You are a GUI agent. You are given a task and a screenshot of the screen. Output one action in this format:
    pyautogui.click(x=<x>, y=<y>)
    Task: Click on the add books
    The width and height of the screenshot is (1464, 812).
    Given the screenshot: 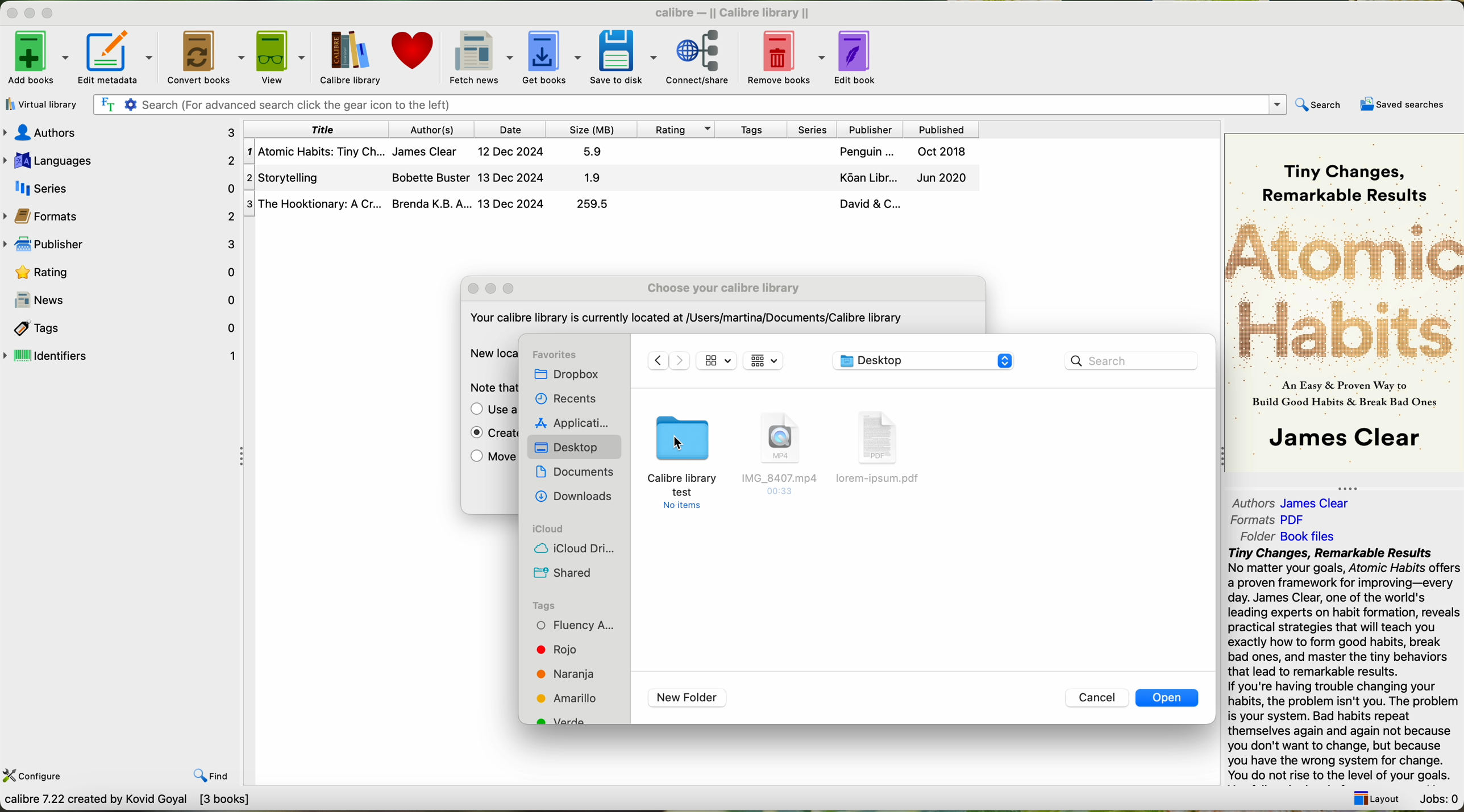 What is the action you would take?
    pyautogui.click(x=36, y=60)
    